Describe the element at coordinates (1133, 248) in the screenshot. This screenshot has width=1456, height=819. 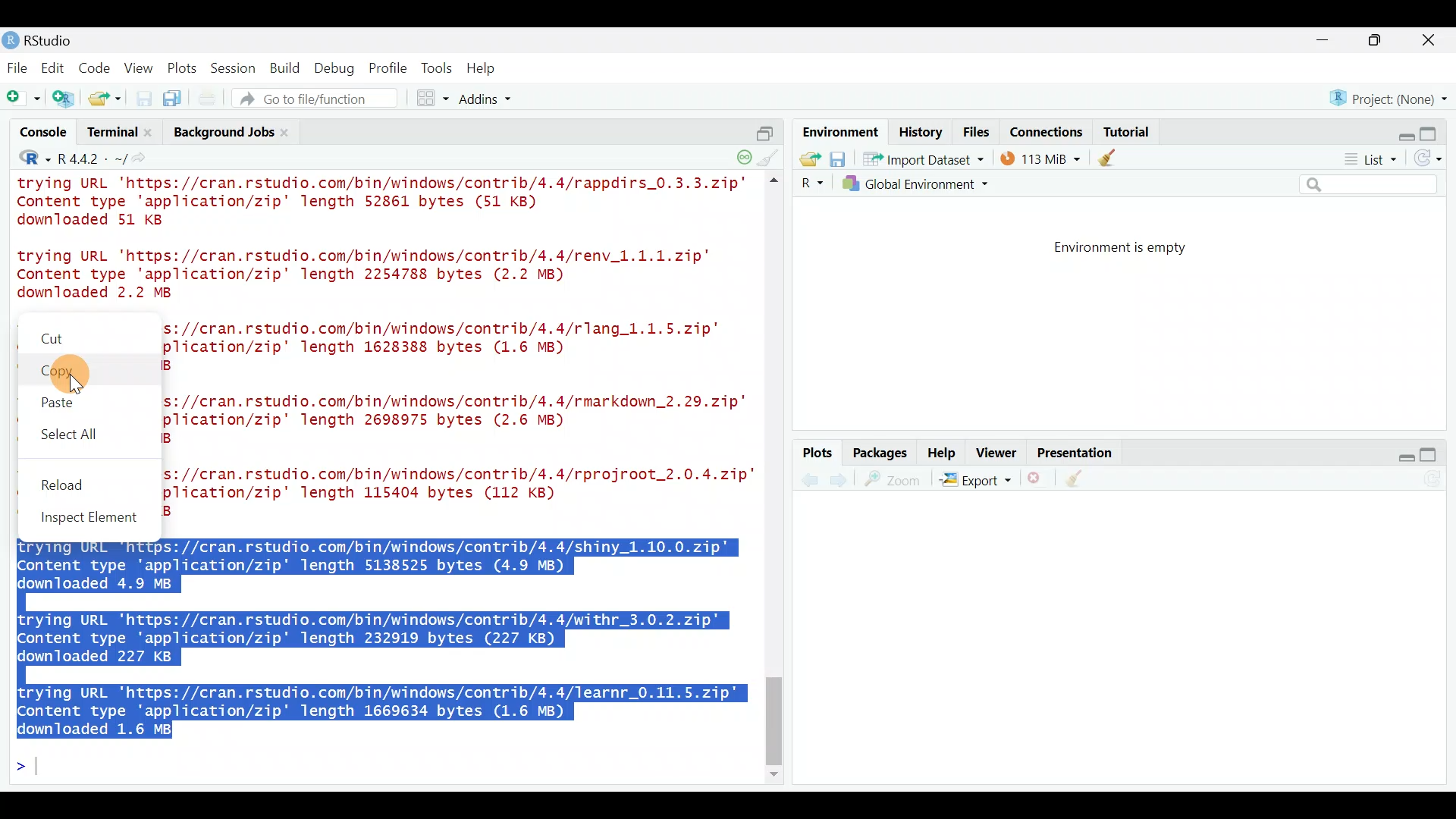
I see `Environment is empty` at that location.